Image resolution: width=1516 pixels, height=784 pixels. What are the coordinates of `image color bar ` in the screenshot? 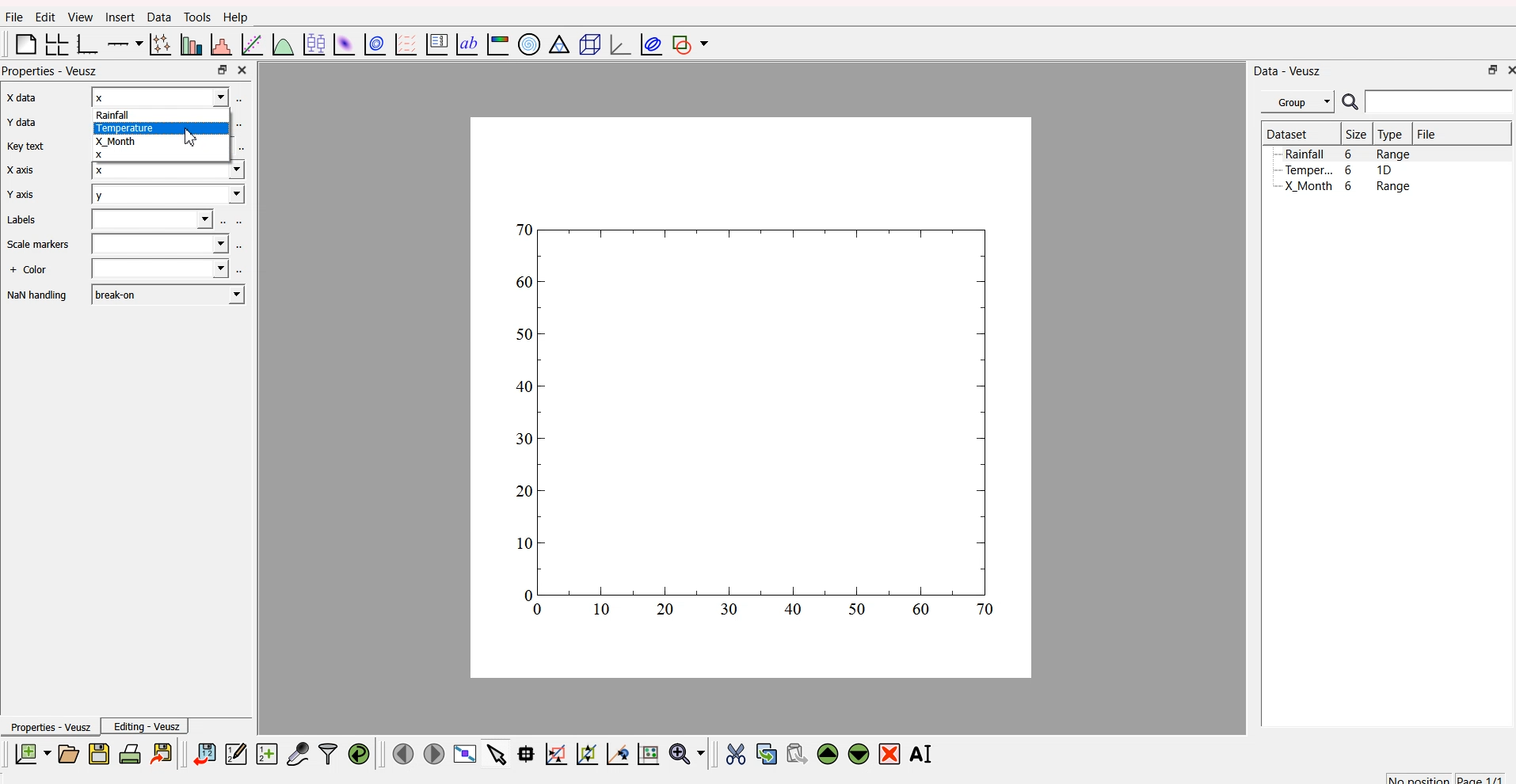 It's located at (497, 44).